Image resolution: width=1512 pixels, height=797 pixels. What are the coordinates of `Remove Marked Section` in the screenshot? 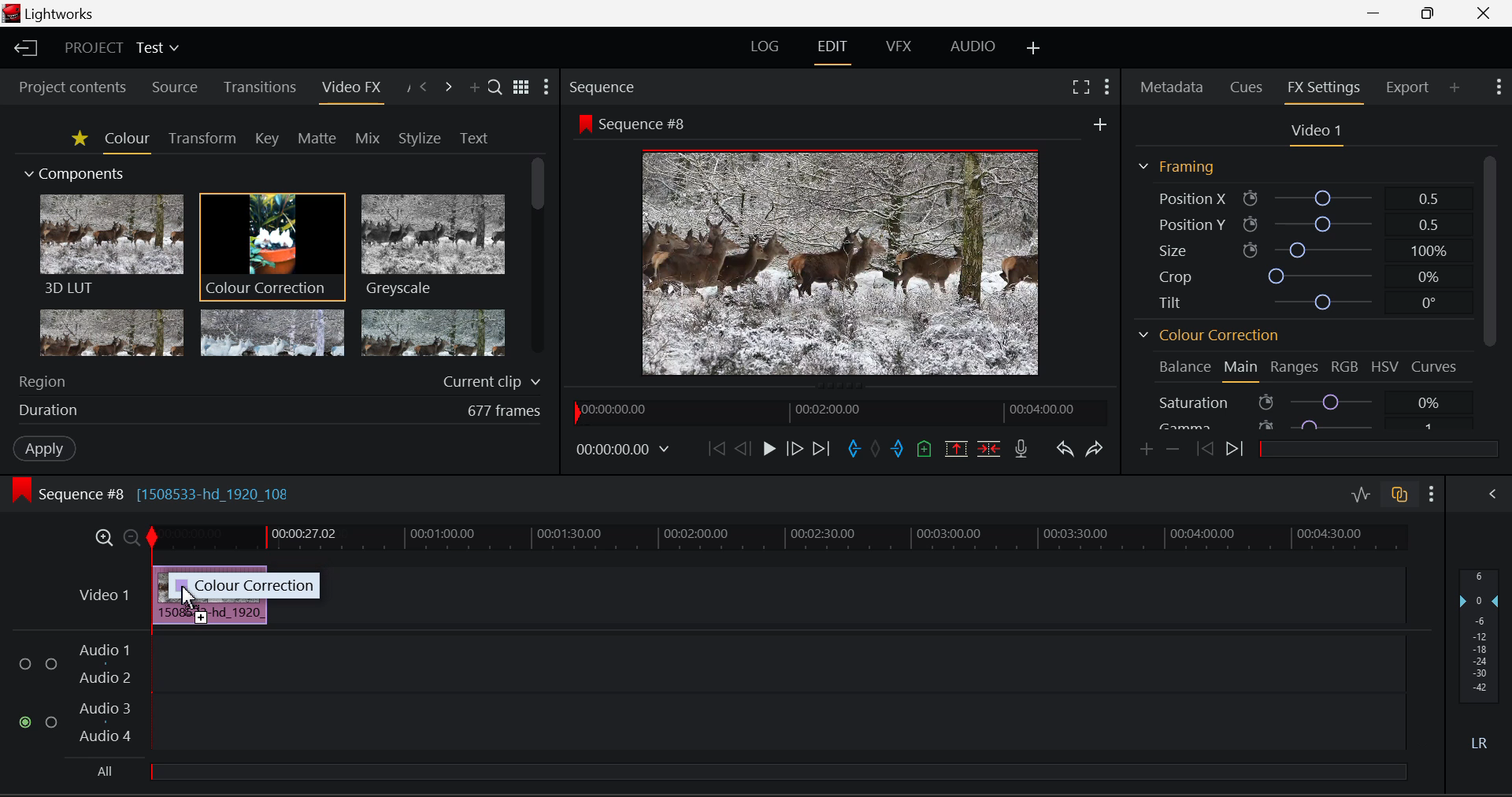 It's located at (955, 449).